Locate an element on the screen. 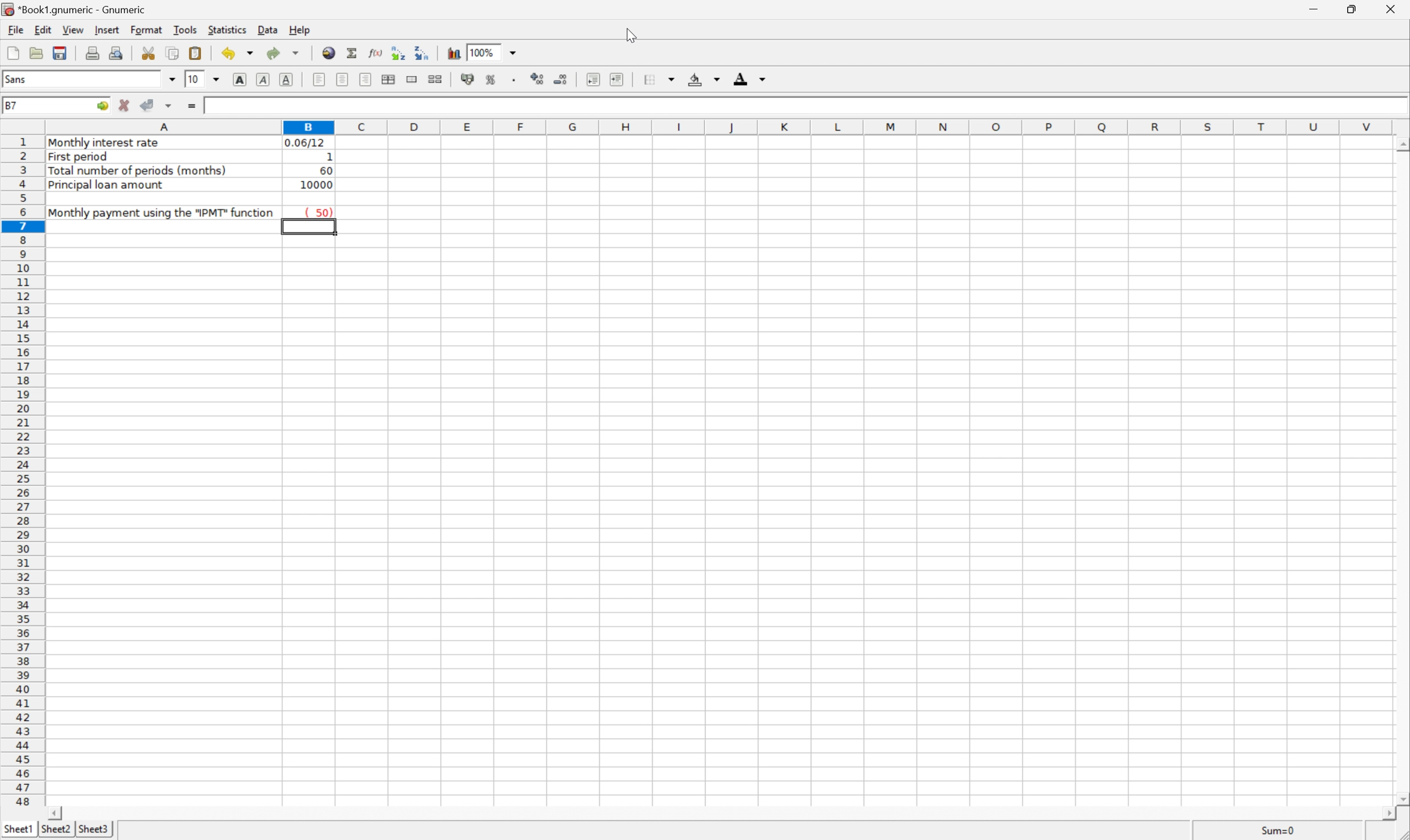 This screenshot has width=1410, height=840. Background is located at coordinates (704, 80).